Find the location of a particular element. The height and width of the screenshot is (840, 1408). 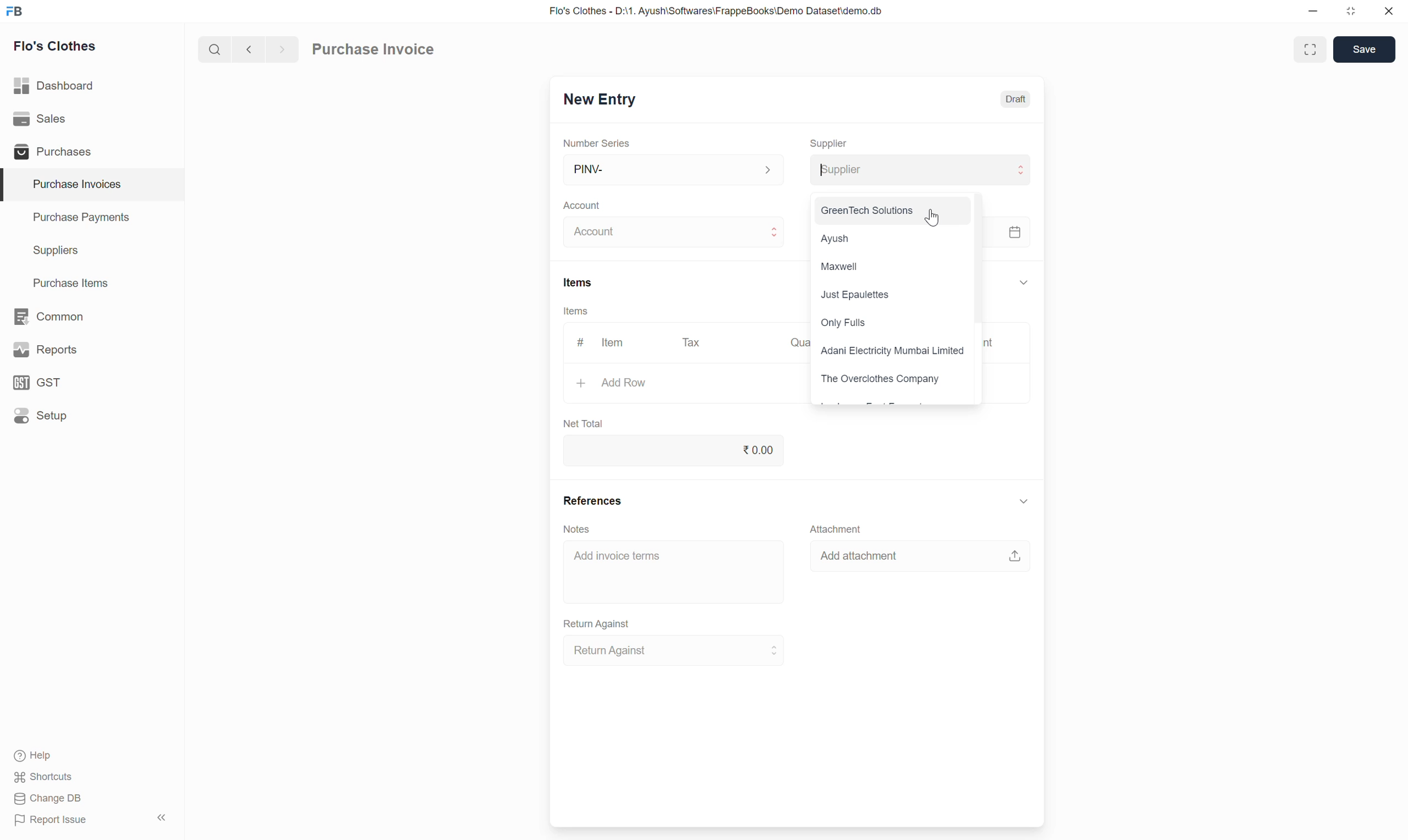

Ayush is located at coordinates (893, 240).